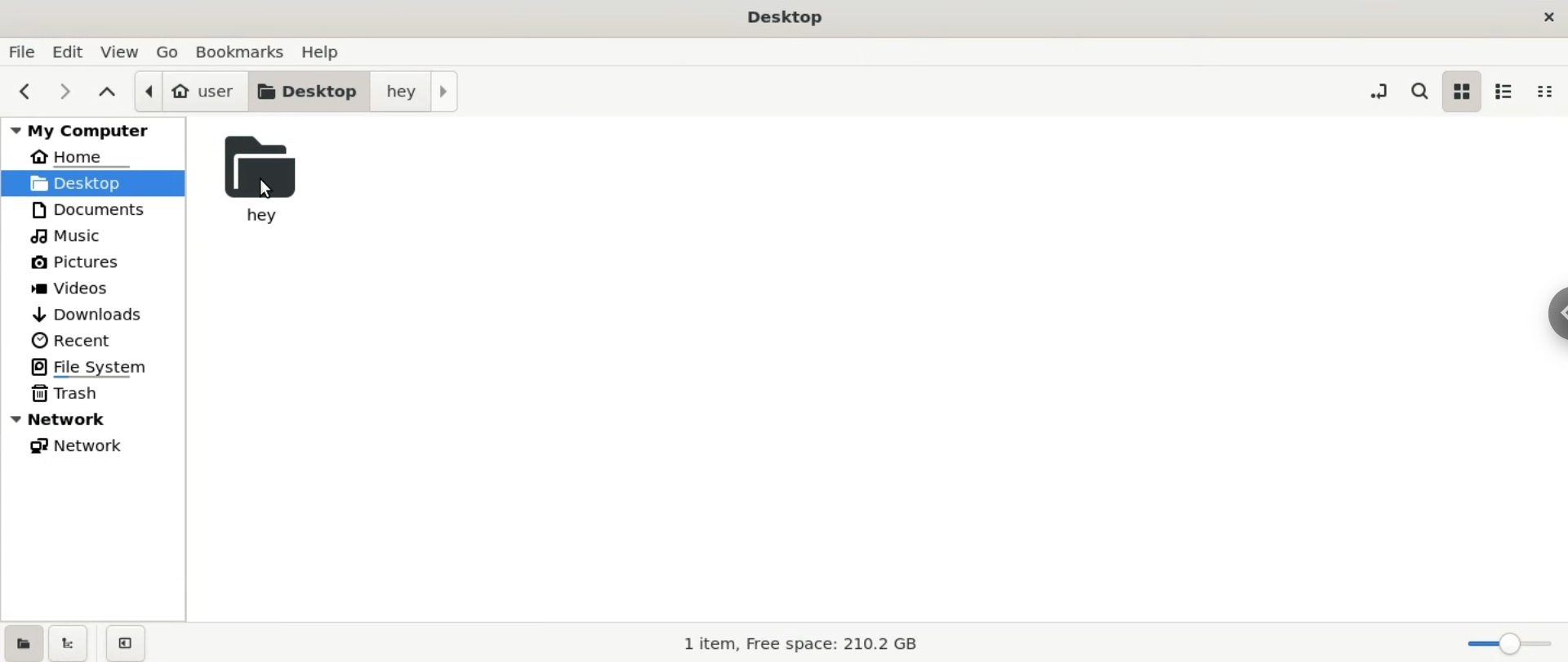  I want to click on view, so click(120, 51).